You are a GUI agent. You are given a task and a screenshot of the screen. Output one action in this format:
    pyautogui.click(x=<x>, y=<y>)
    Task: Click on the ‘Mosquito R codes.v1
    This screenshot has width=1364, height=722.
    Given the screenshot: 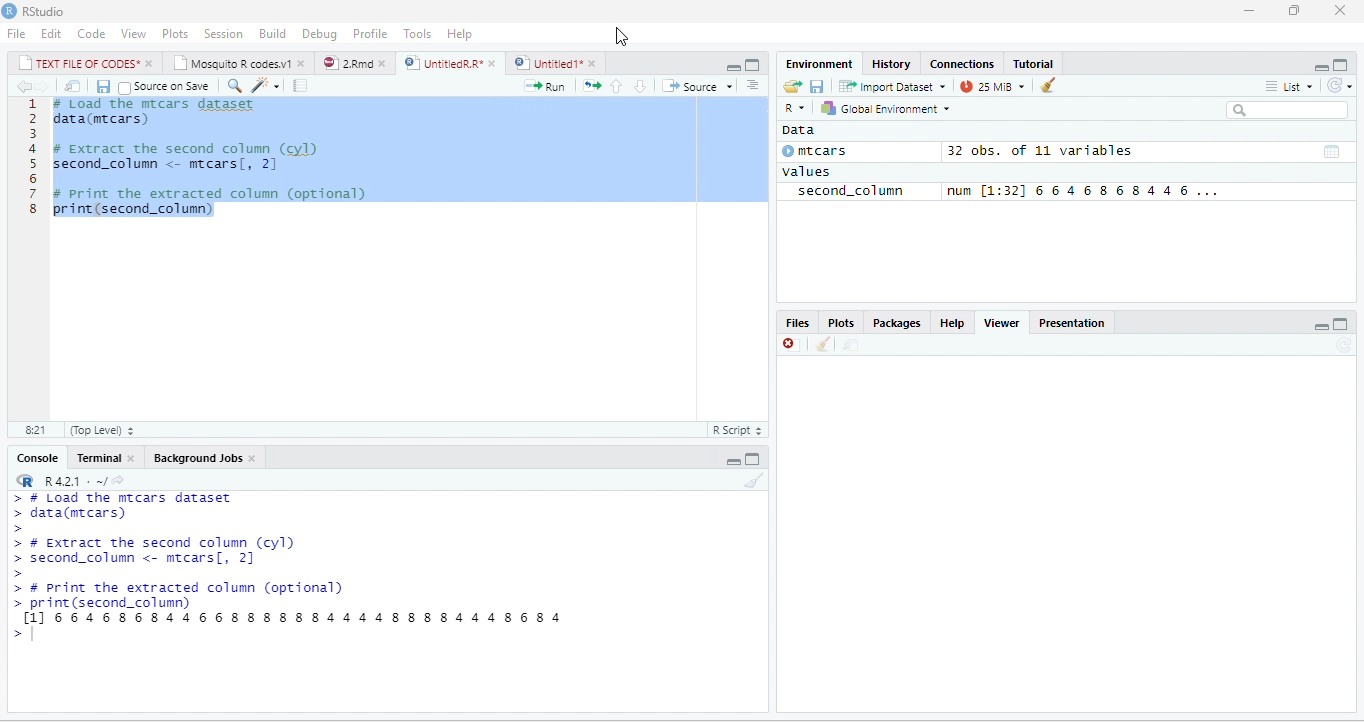 What is the action you would take?
    pyautogui.click(x=232, y=62)
    